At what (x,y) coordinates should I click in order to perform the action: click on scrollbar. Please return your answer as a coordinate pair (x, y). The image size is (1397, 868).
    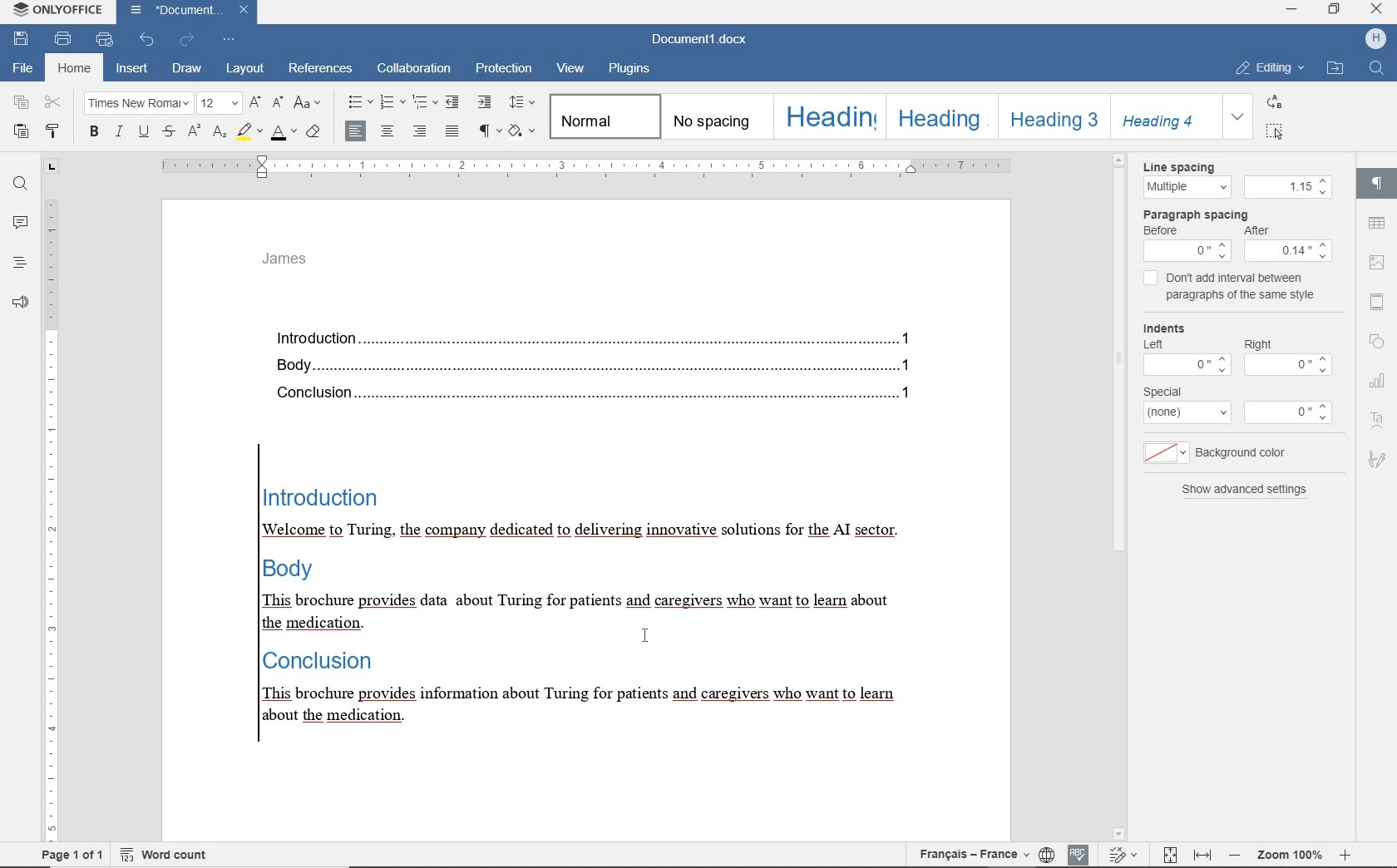
    Looking at the image, I should click on (1348, 495).